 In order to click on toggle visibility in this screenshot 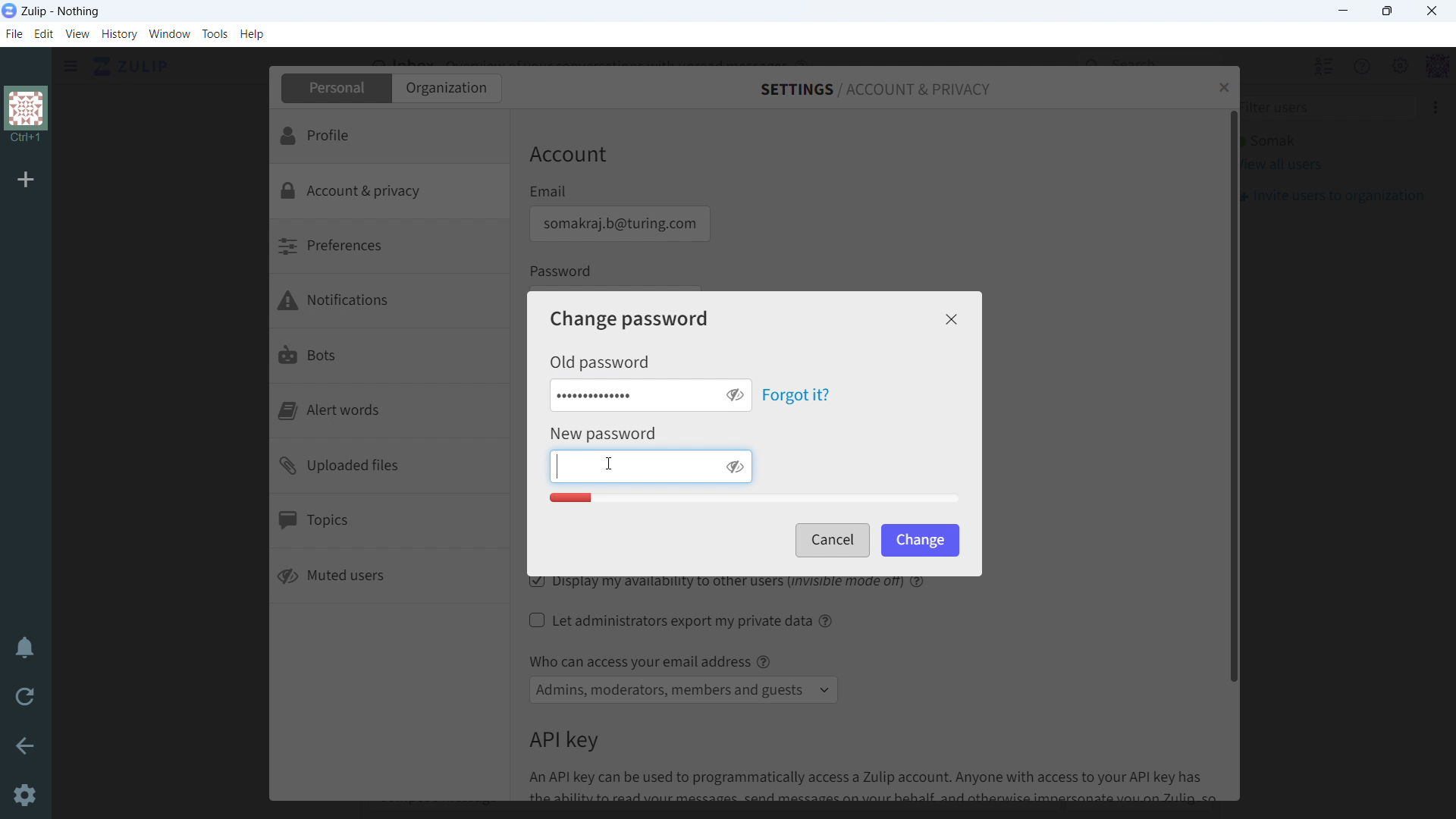, I will do `click(734, 466)`.